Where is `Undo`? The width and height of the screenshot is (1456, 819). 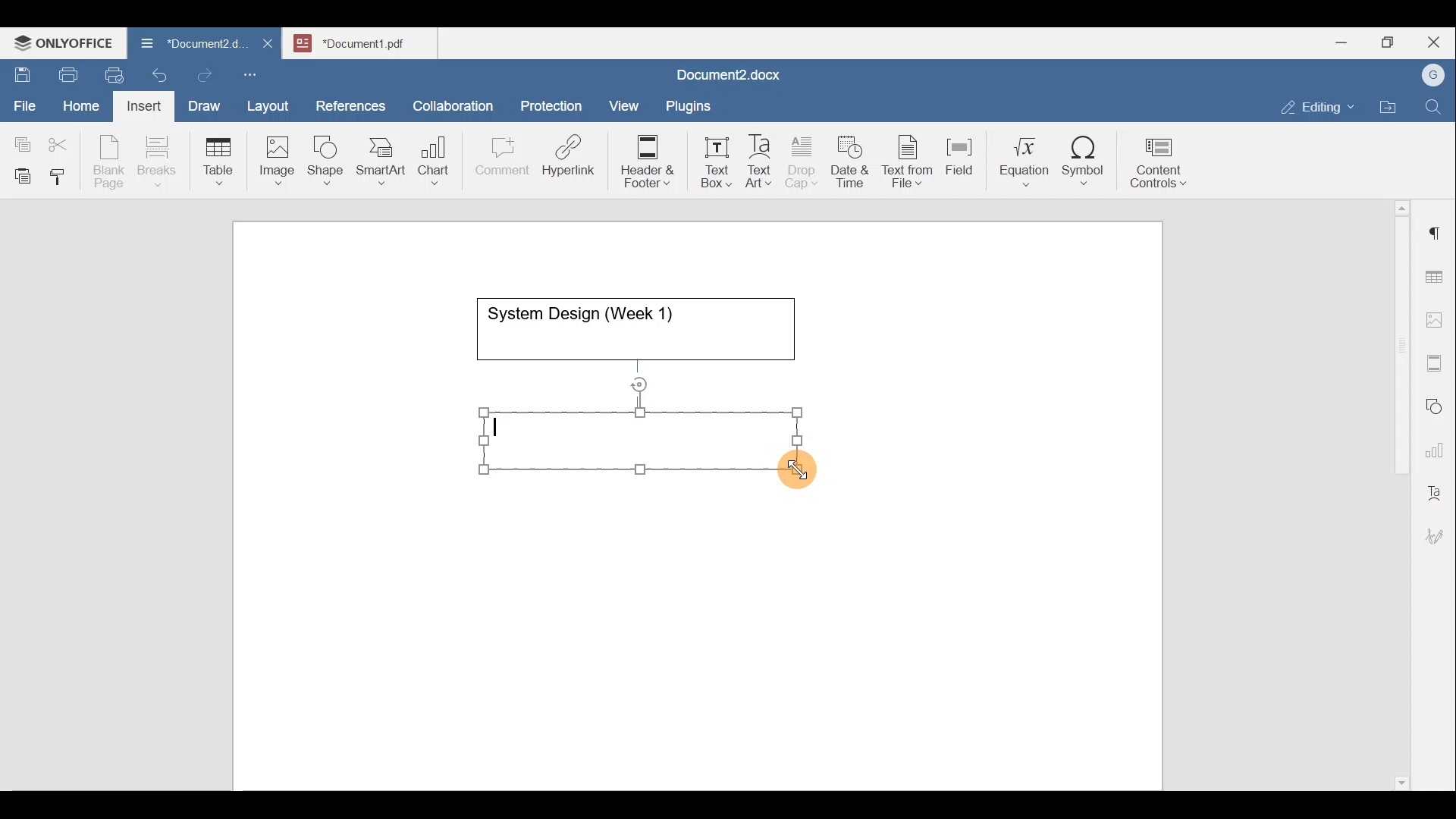
Undo is located at coordinates (156, 73).